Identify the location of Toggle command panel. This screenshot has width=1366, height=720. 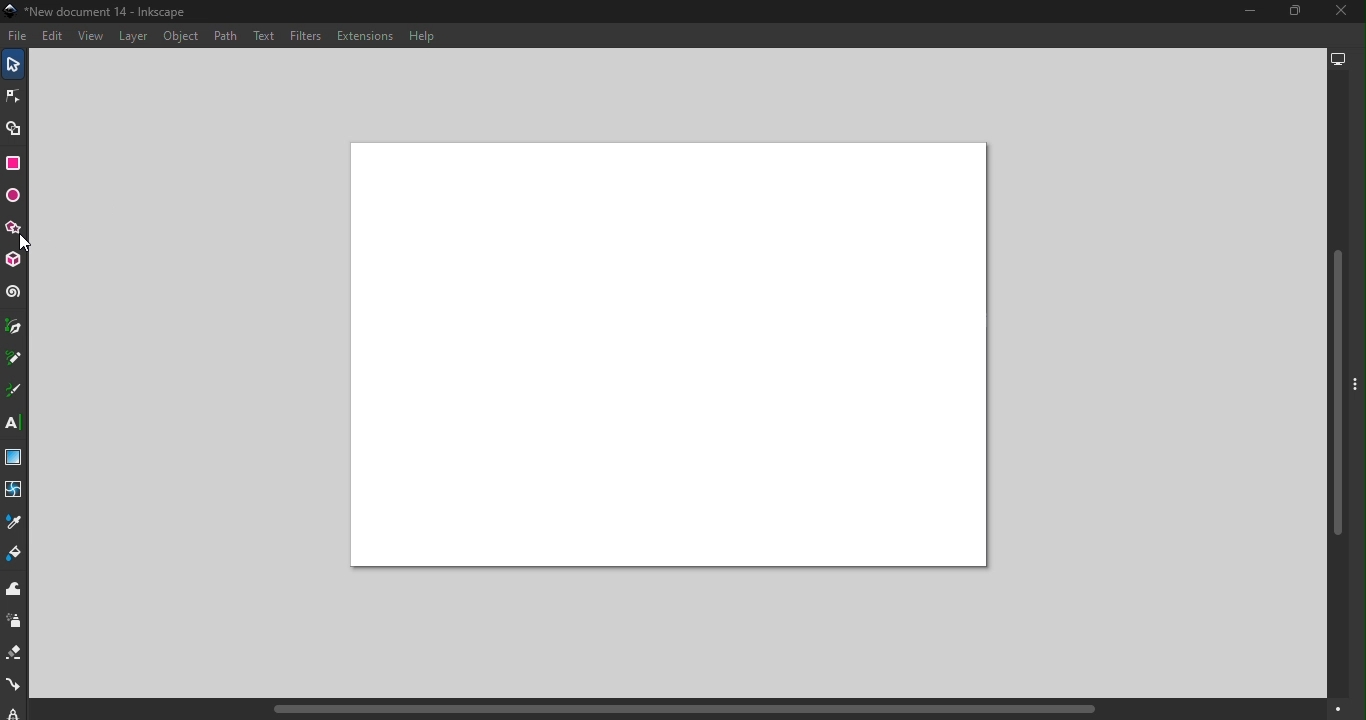
(1358, 395).